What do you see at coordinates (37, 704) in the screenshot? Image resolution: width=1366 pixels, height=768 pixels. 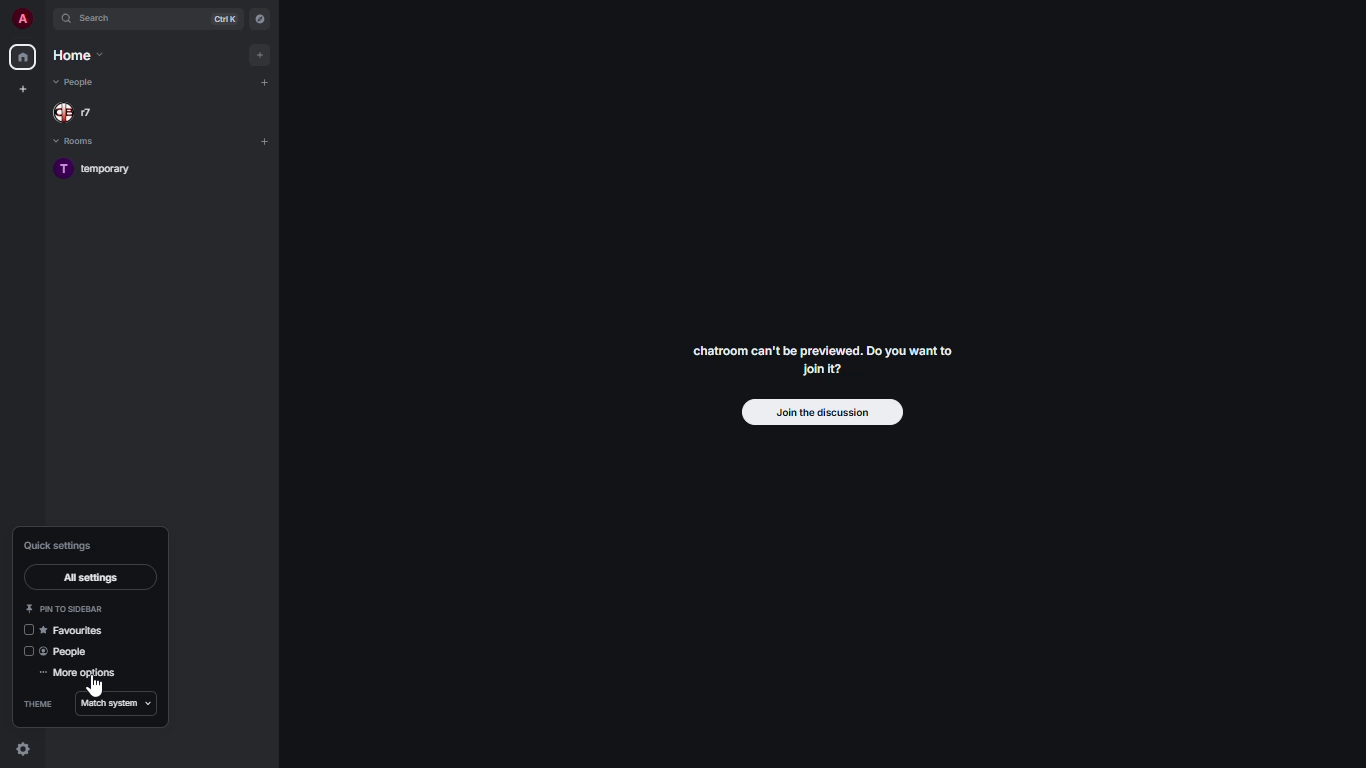 I see `theme` at bounding box center [37, 704].